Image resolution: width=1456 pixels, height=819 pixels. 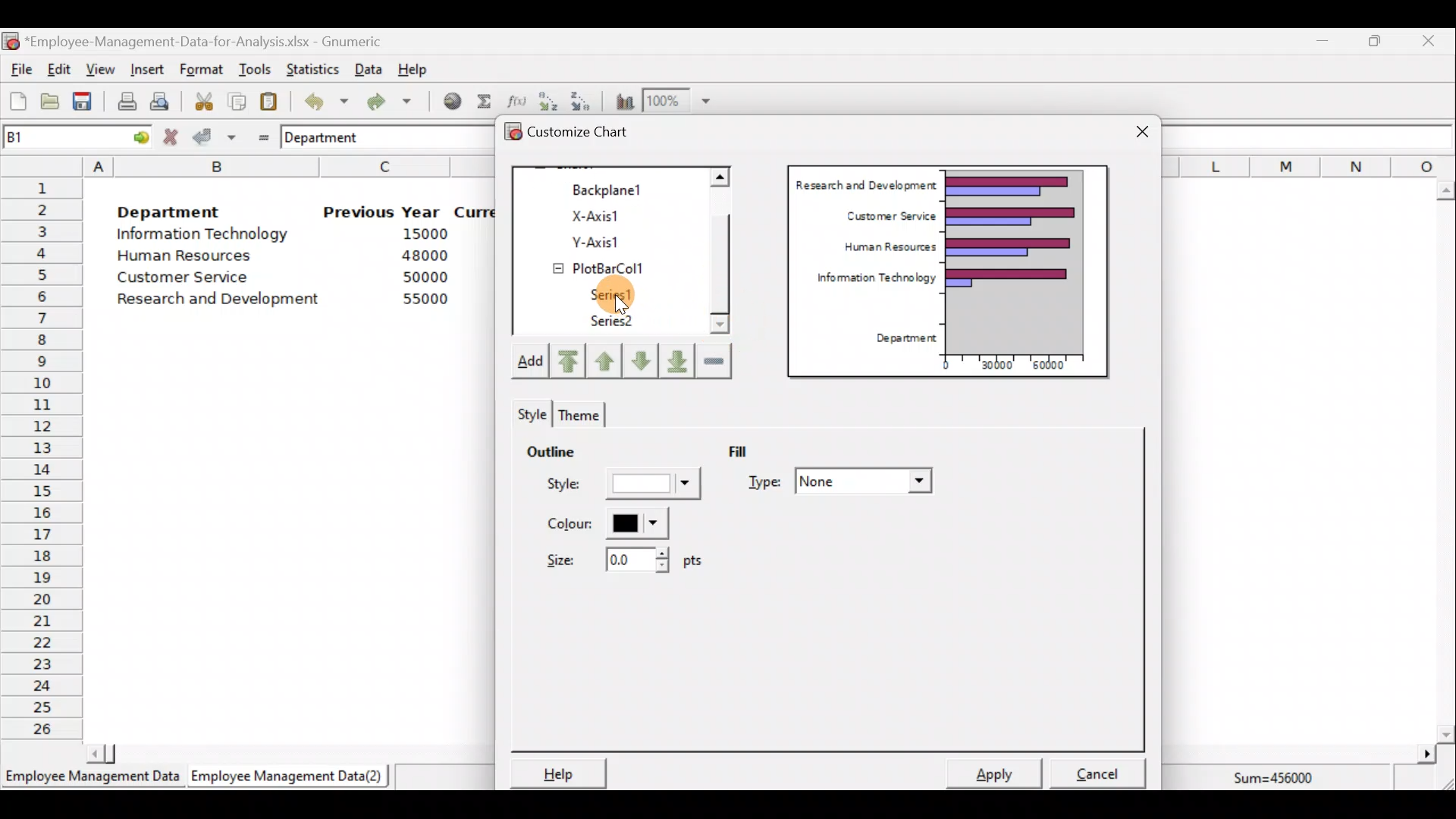 I want to click on Copy the selection, so click(x=236, y=99).